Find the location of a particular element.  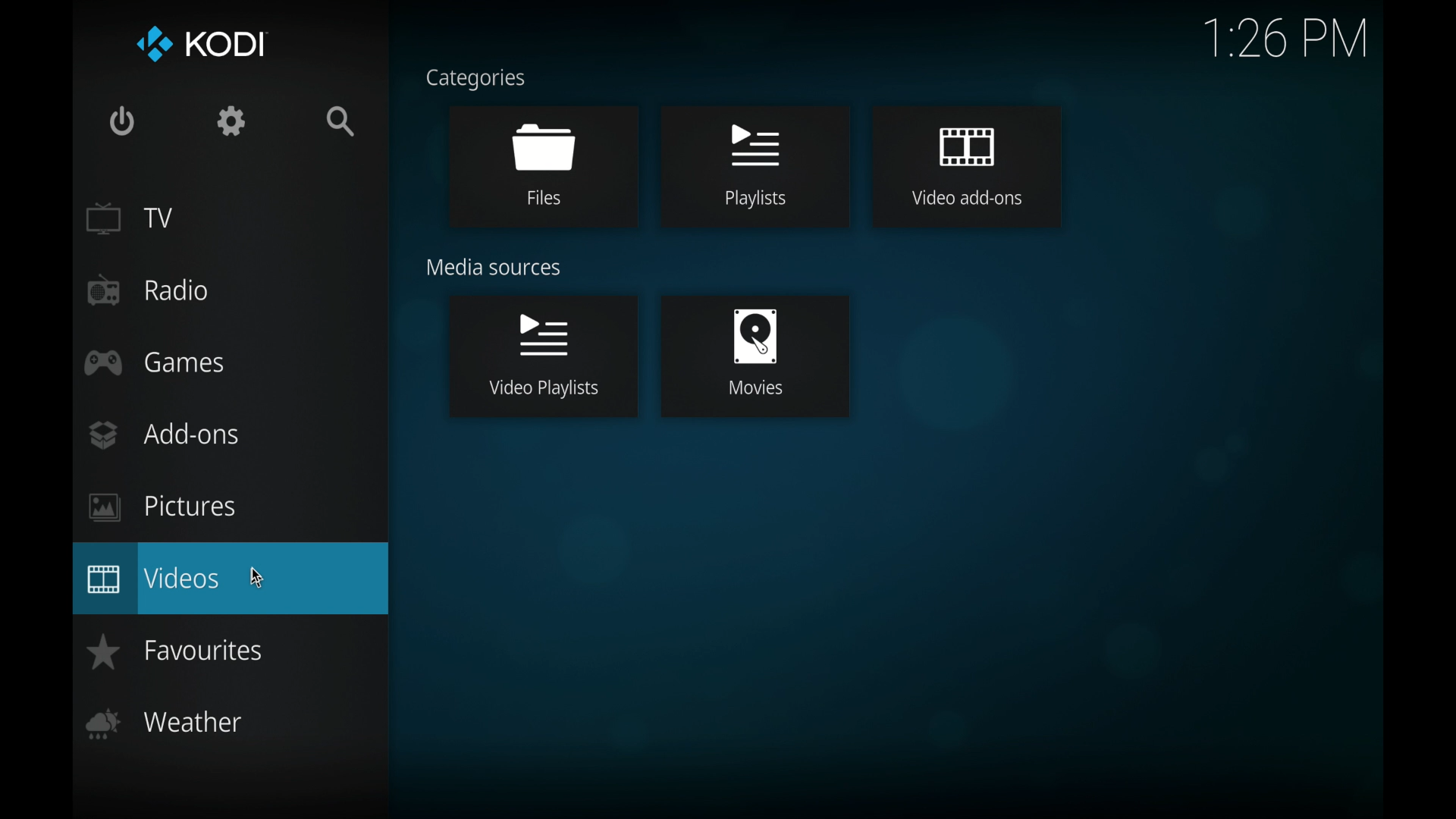

games is located at coordinates (158, 362).